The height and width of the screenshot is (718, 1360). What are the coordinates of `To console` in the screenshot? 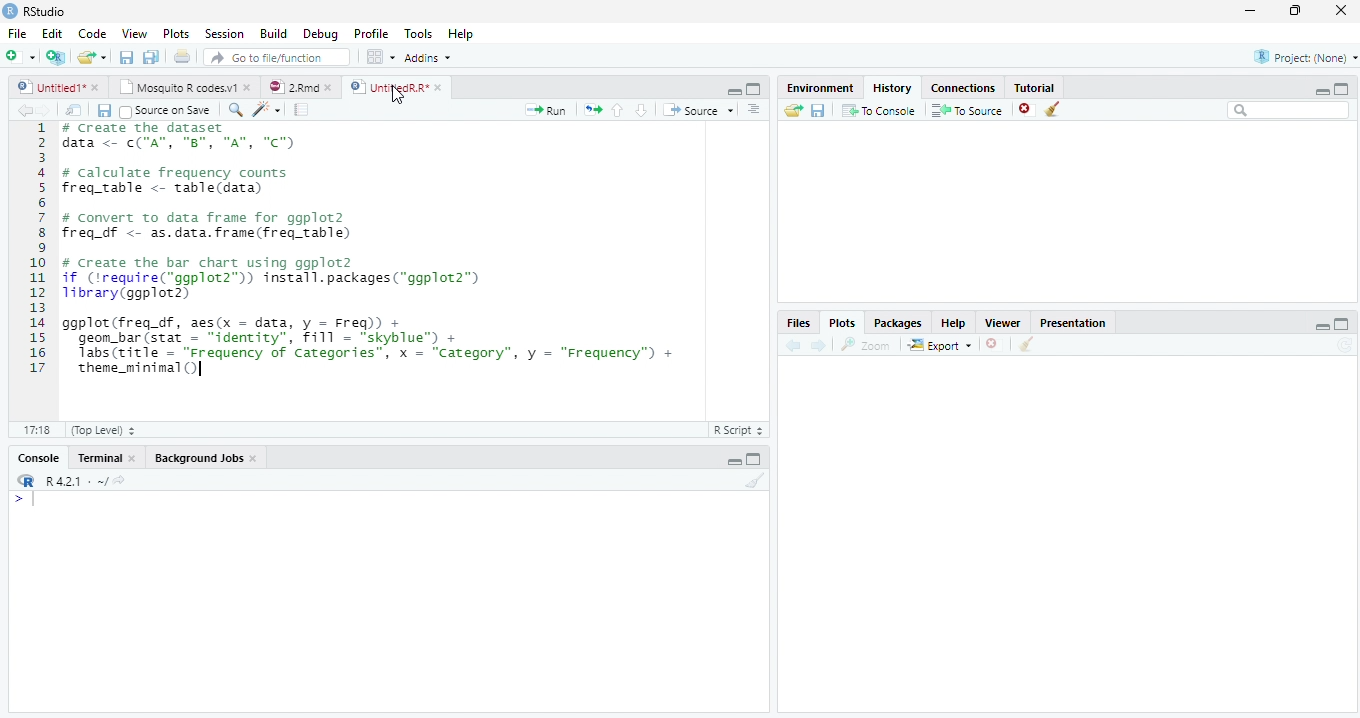 It's located at (879, 111).